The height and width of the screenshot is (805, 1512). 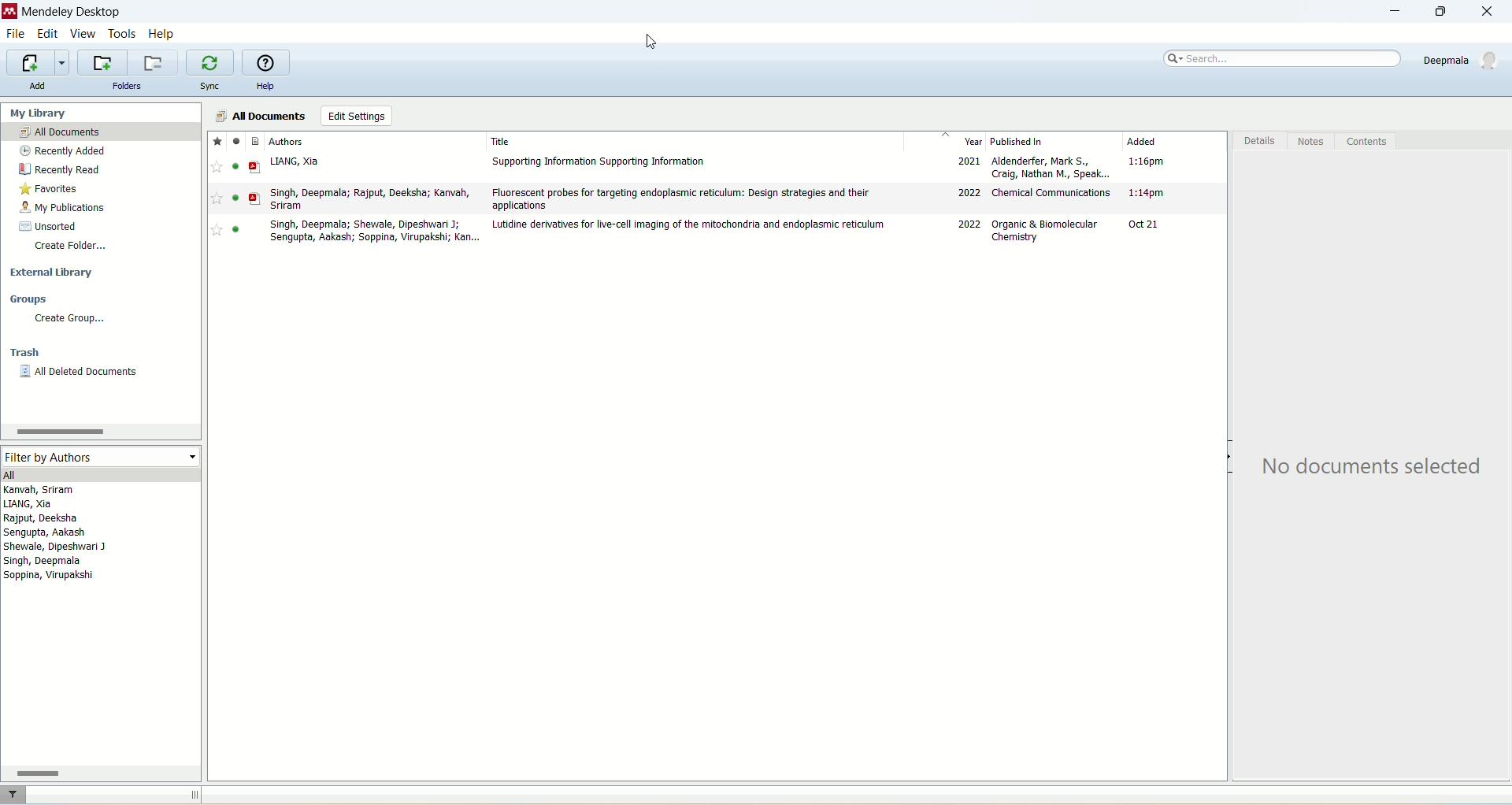 I want to click on Lutidine derivatives for live-cell imaging of the mitochondria and endoplasmic reticulum, so click(x=689, y=225).